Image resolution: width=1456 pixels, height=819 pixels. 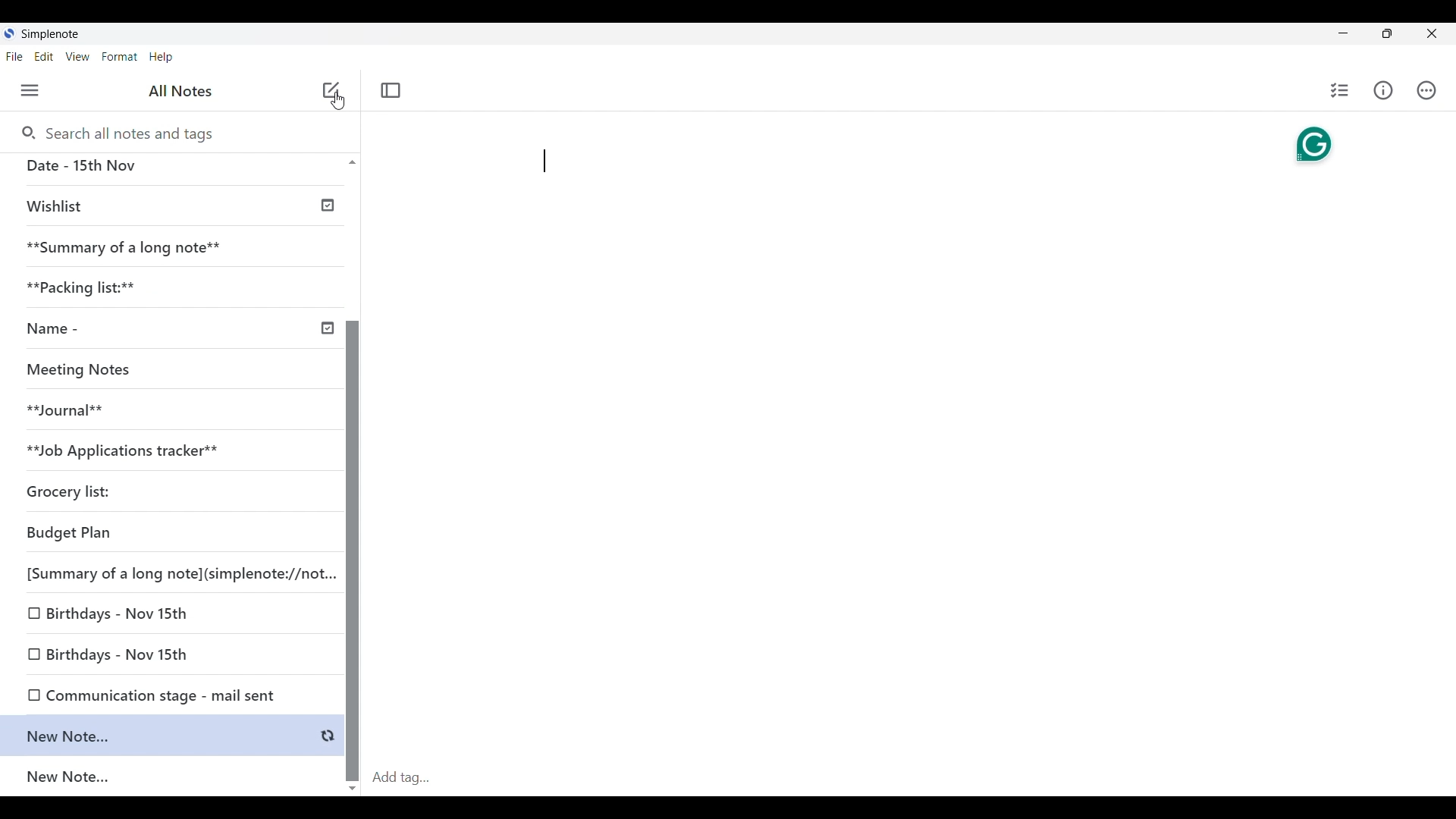 What do you see at coordinates (167, 371) in the screenshot?
I see `Meeting Notes` at bounding box center [167, 371].